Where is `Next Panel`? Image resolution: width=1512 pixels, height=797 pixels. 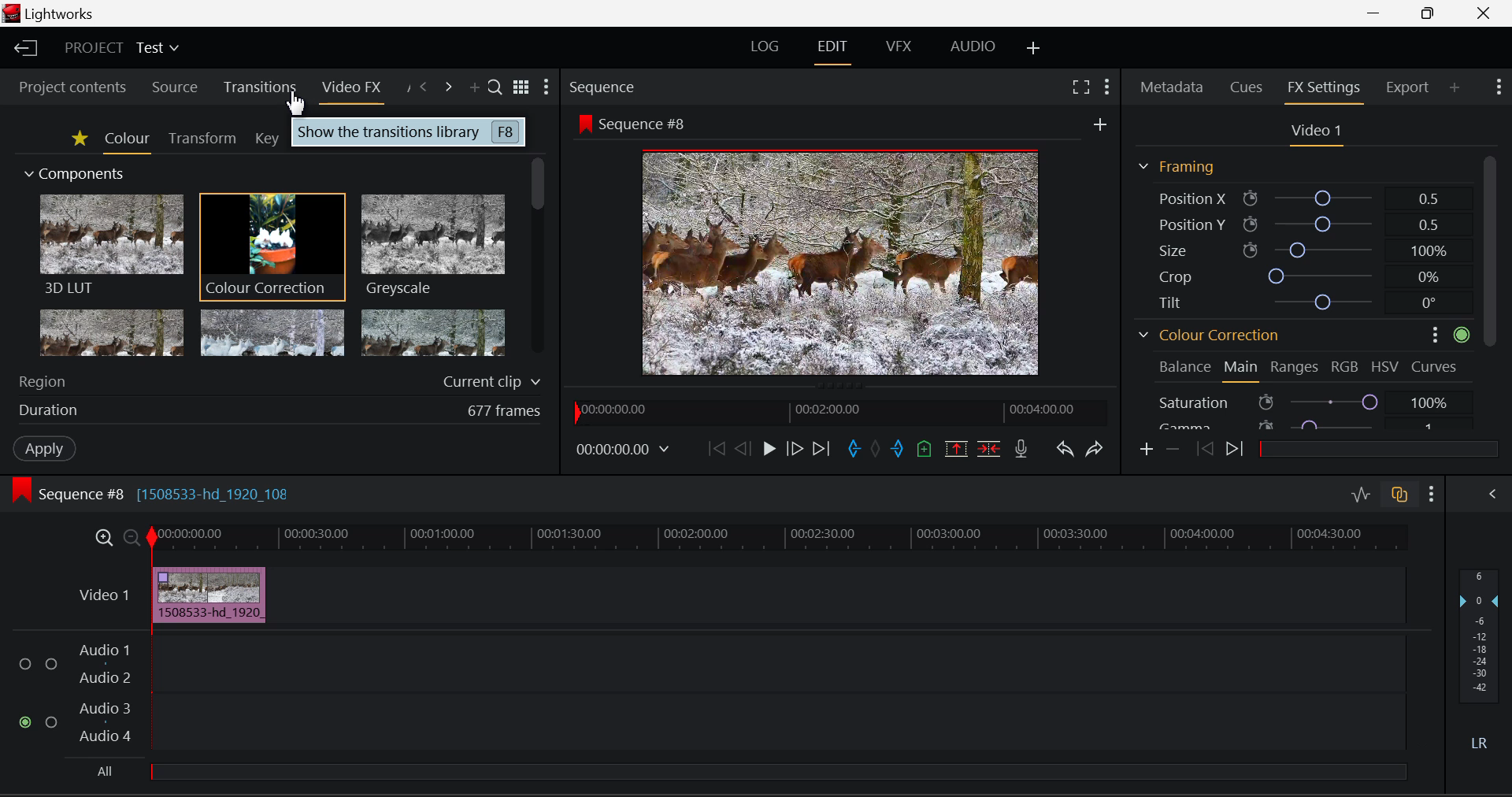
Next Panel is located at coordinates (448, 86).